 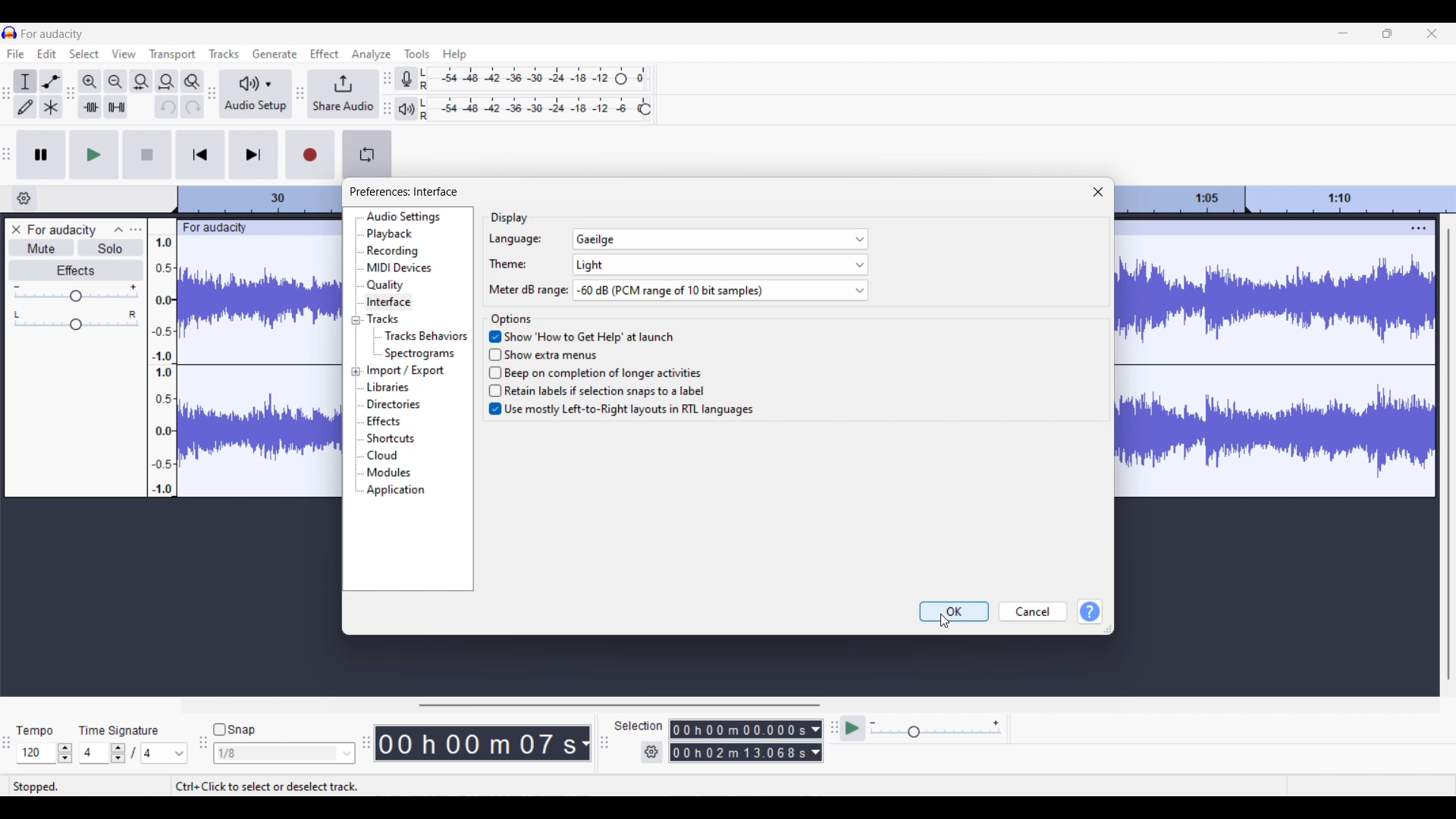 I want to click on Software logo, so click(x=10, y=33).